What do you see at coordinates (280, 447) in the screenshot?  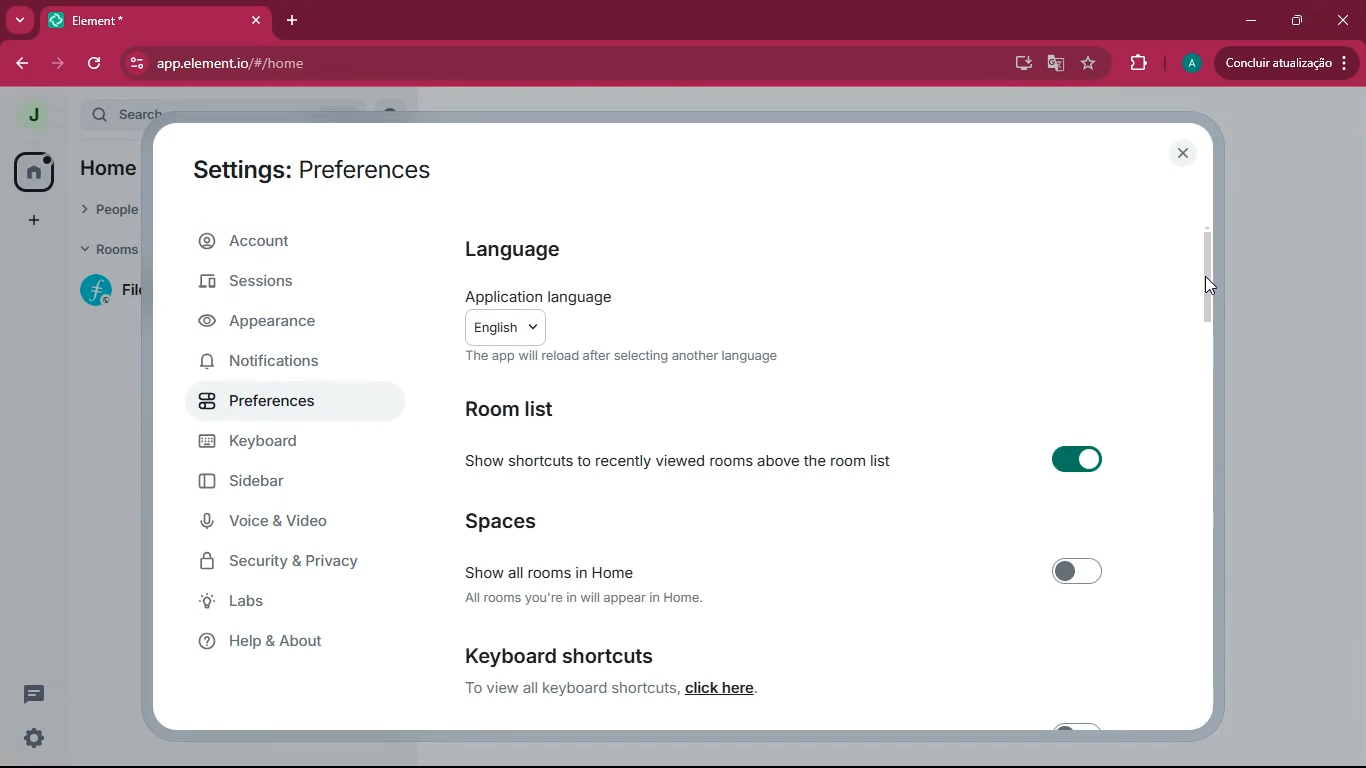 I see `keyboard` at bounding box center [280, 447].